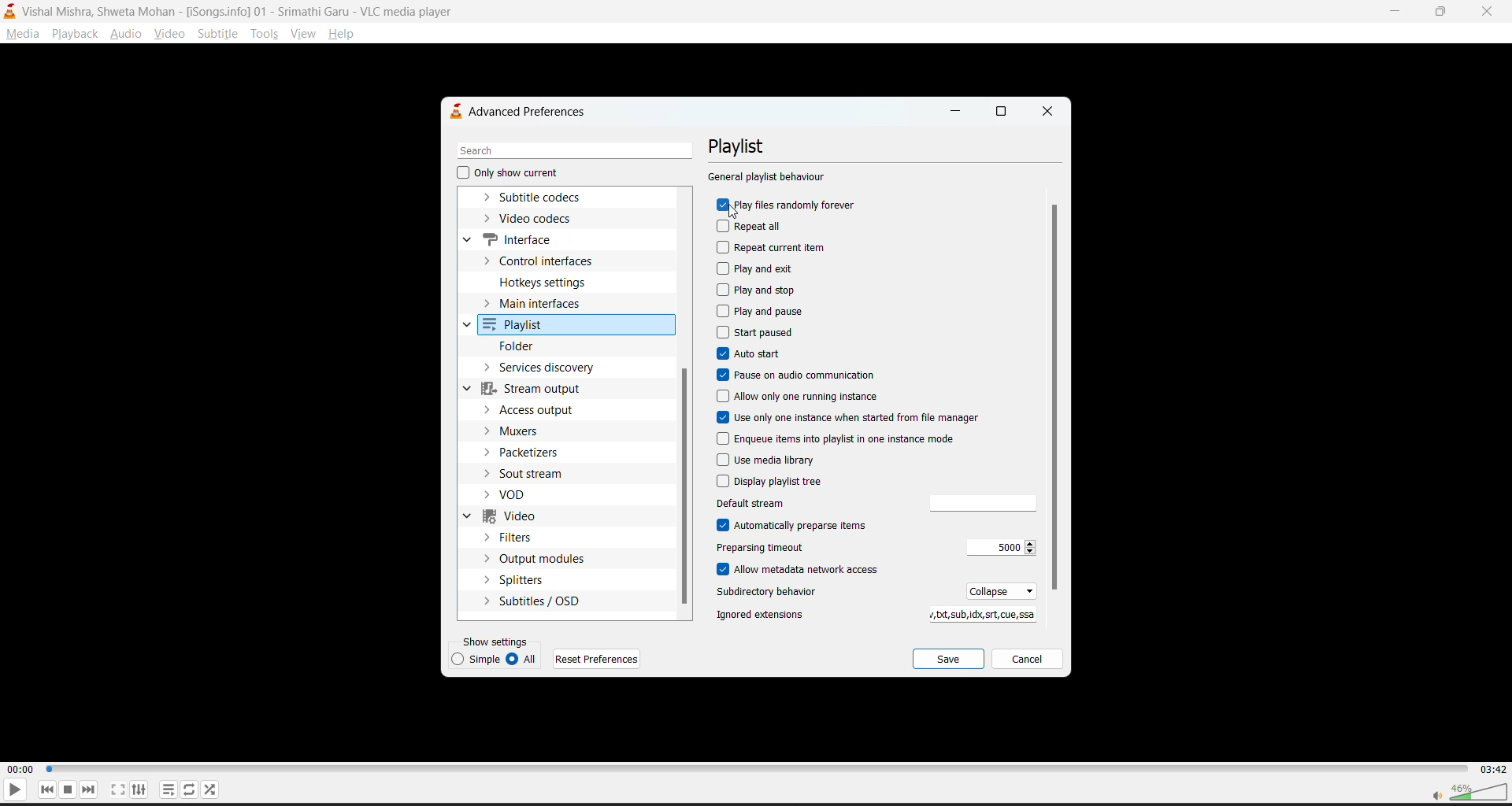 This screenshot has width=1512, height=806. I want to click on volume, so click(1462, 790).